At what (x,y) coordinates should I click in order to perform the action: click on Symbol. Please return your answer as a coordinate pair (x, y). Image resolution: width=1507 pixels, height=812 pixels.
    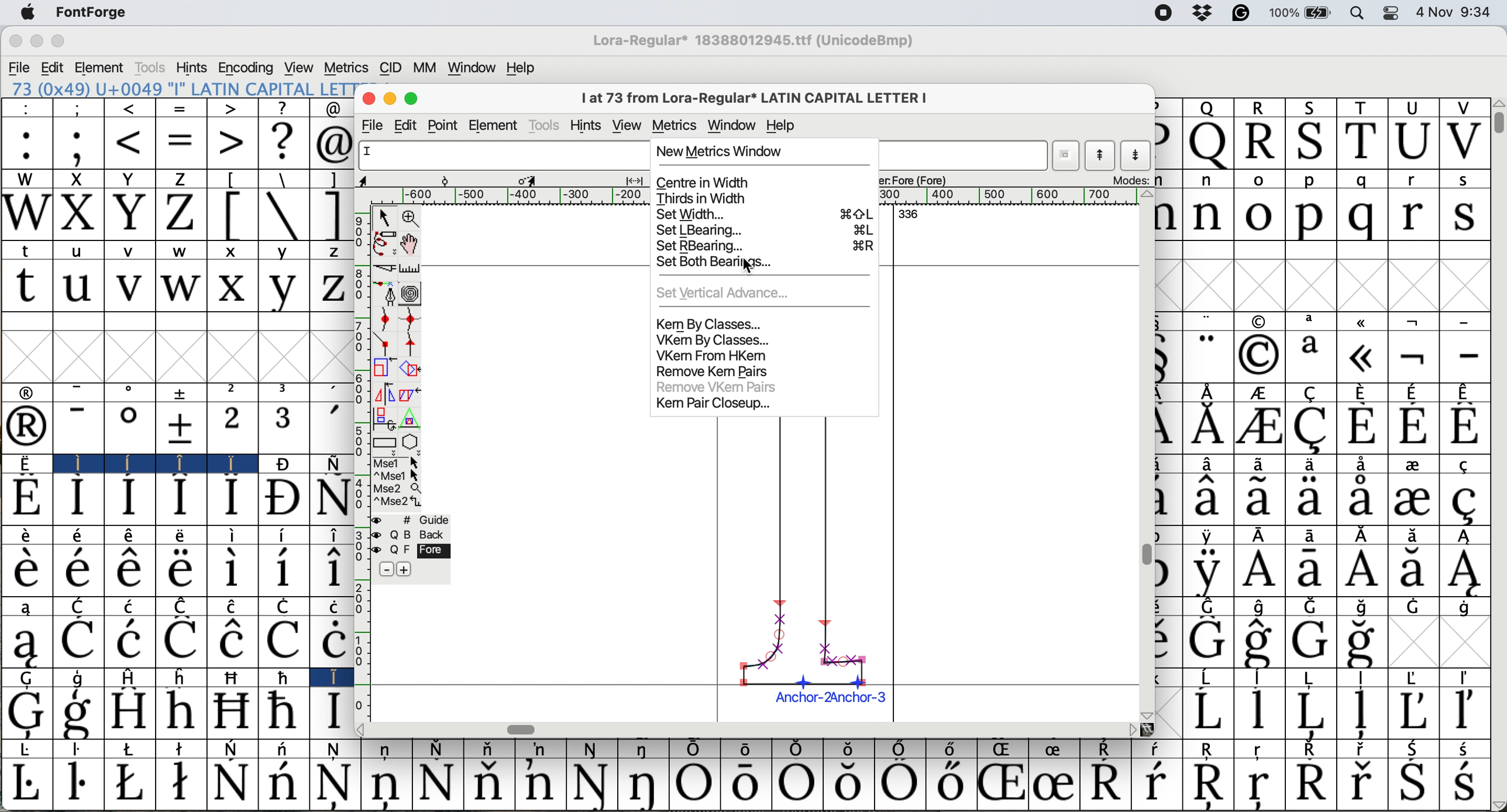
    Looking at the image, I should click on (1414, 569).